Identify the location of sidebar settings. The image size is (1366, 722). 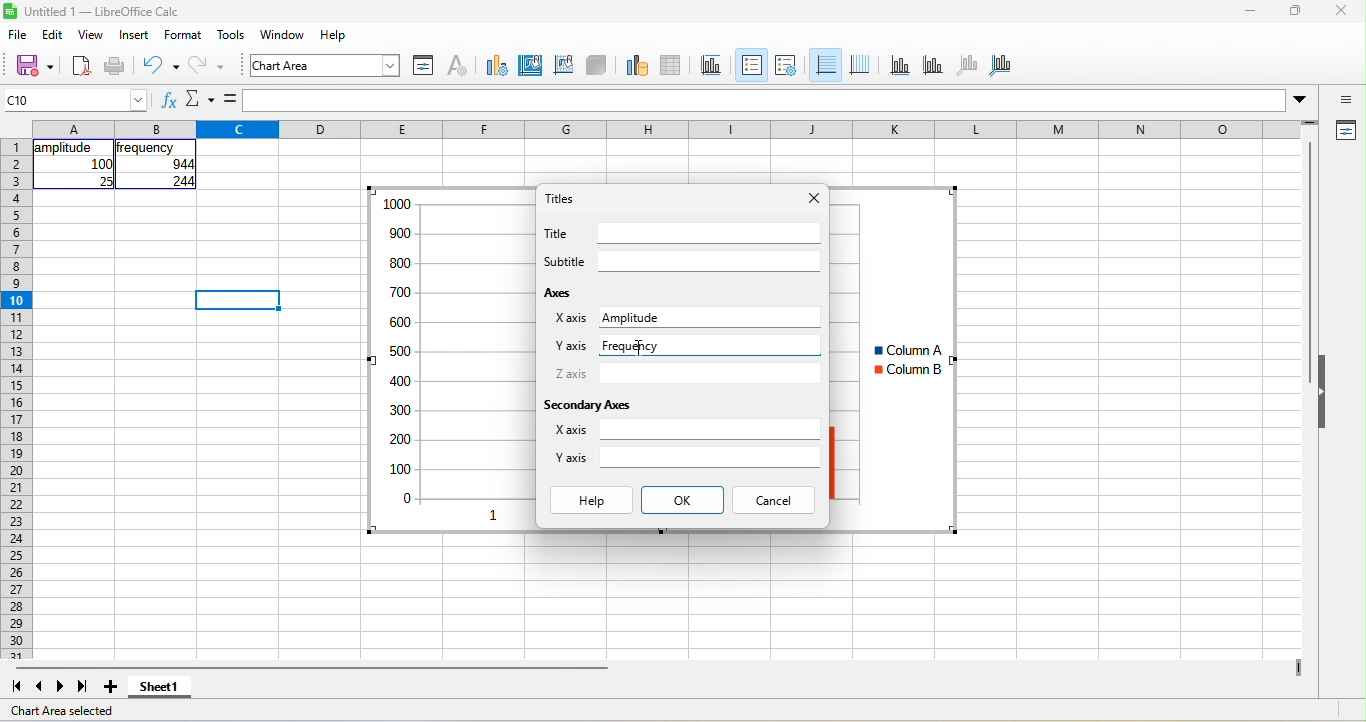
(1344, 99).